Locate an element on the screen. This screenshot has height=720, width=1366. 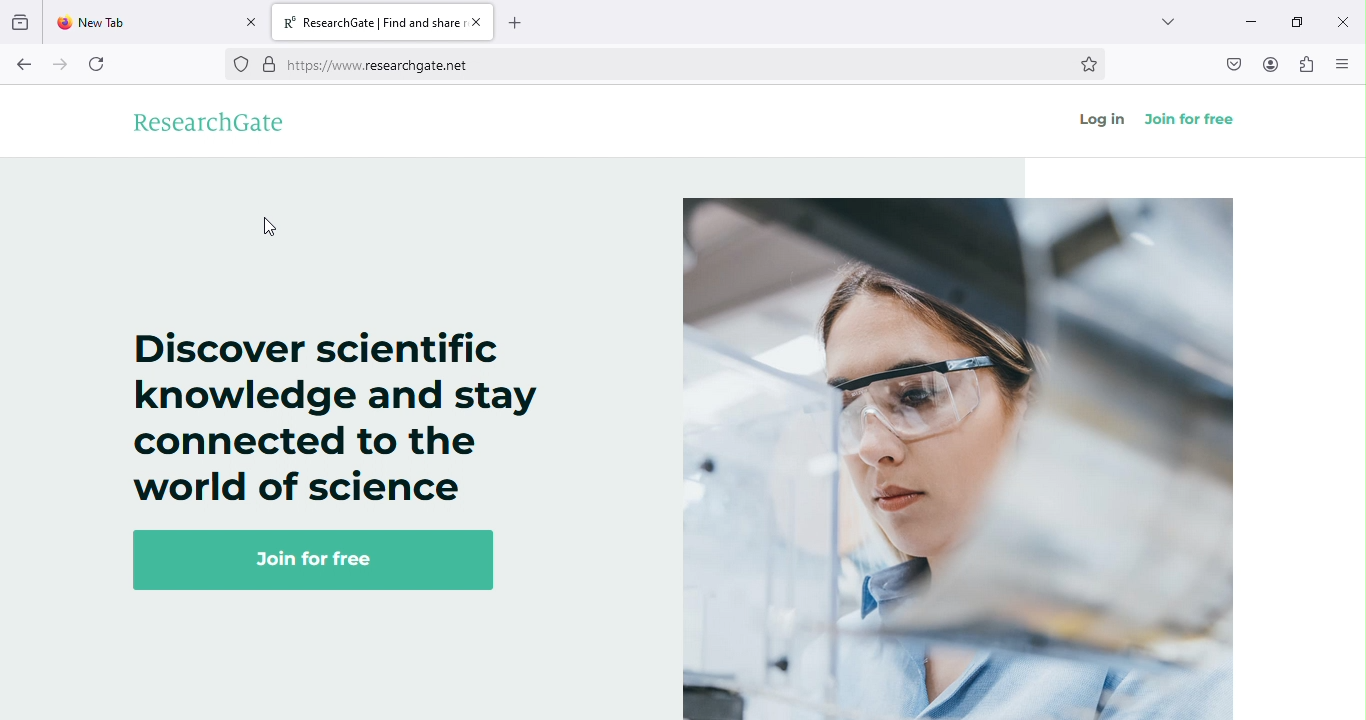
add new tab is located at coordinates (514, 23).